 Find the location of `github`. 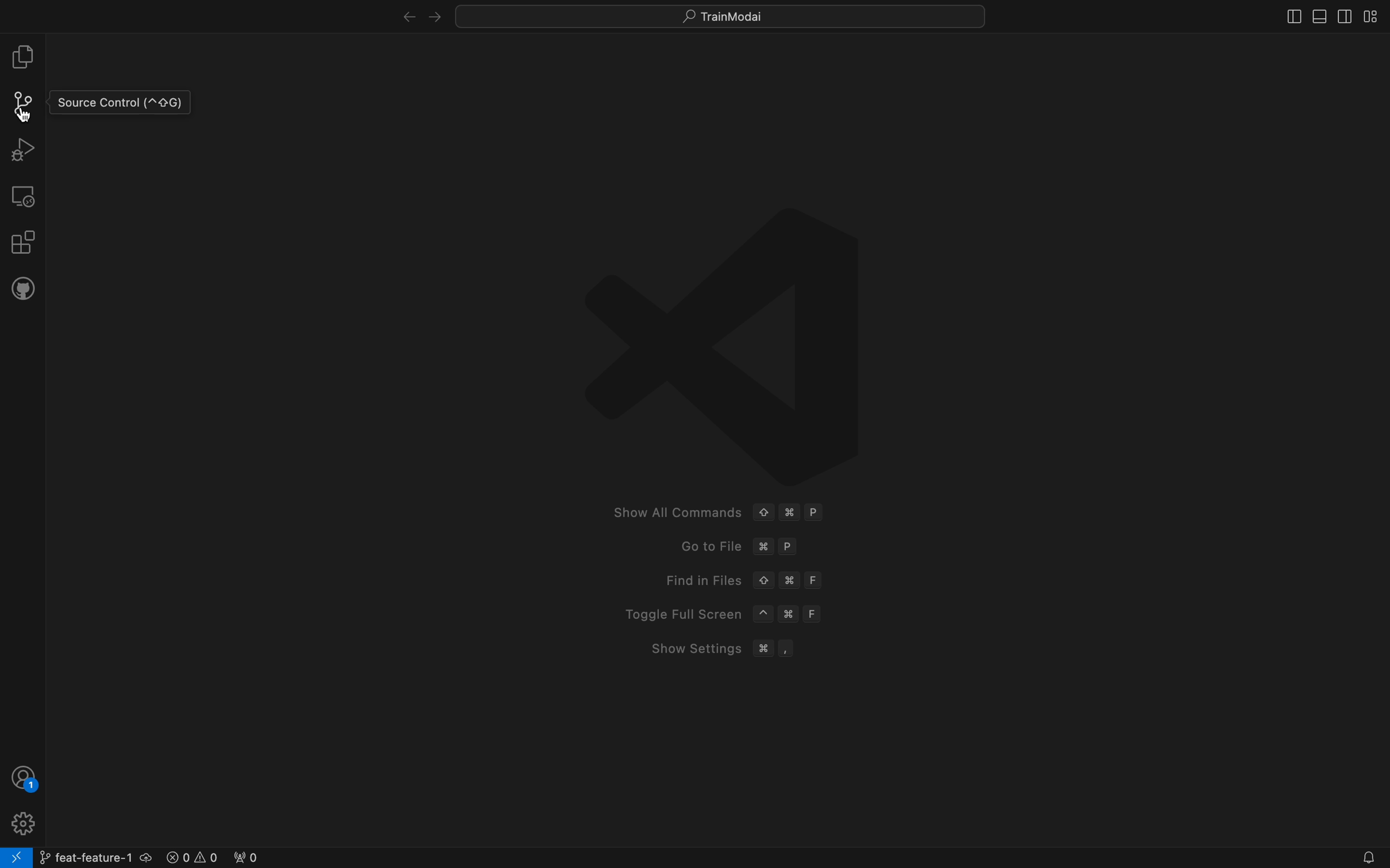

github is located at coordinates (23, 287).